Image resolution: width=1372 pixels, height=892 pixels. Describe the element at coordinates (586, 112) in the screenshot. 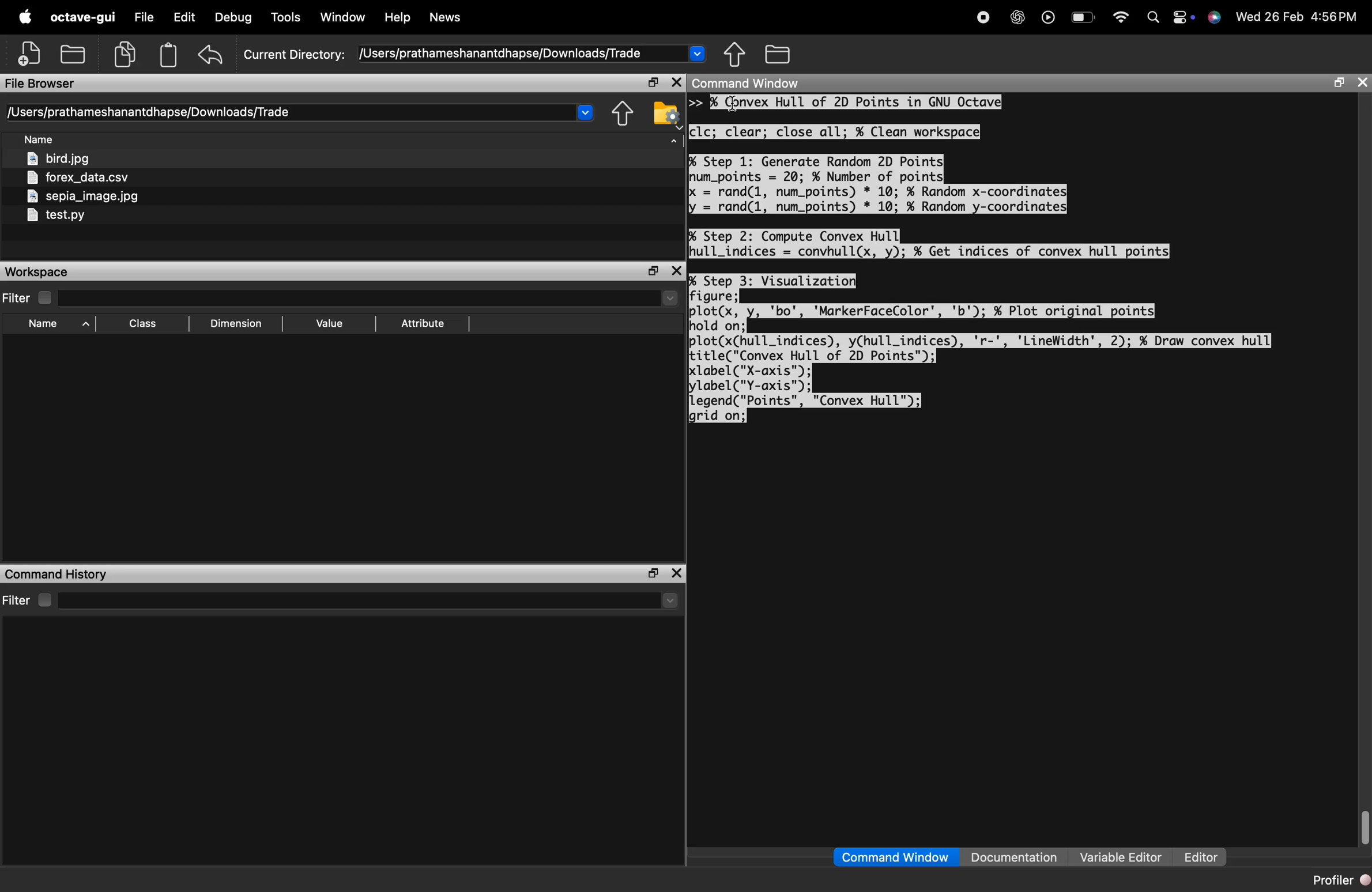

I see `Drop-down ` at that location.